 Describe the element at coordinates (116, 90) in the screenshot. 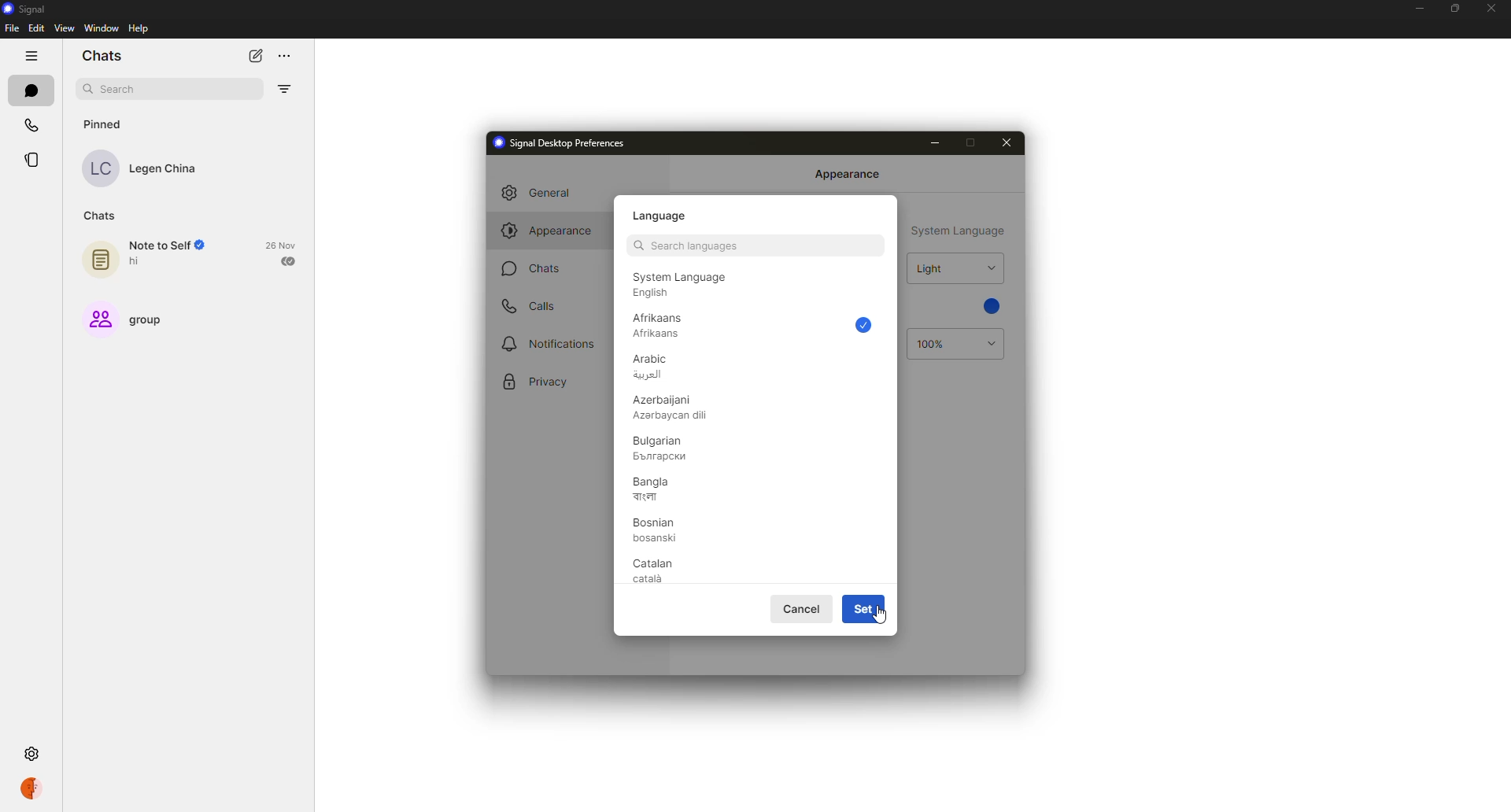

I see `search` at that location.